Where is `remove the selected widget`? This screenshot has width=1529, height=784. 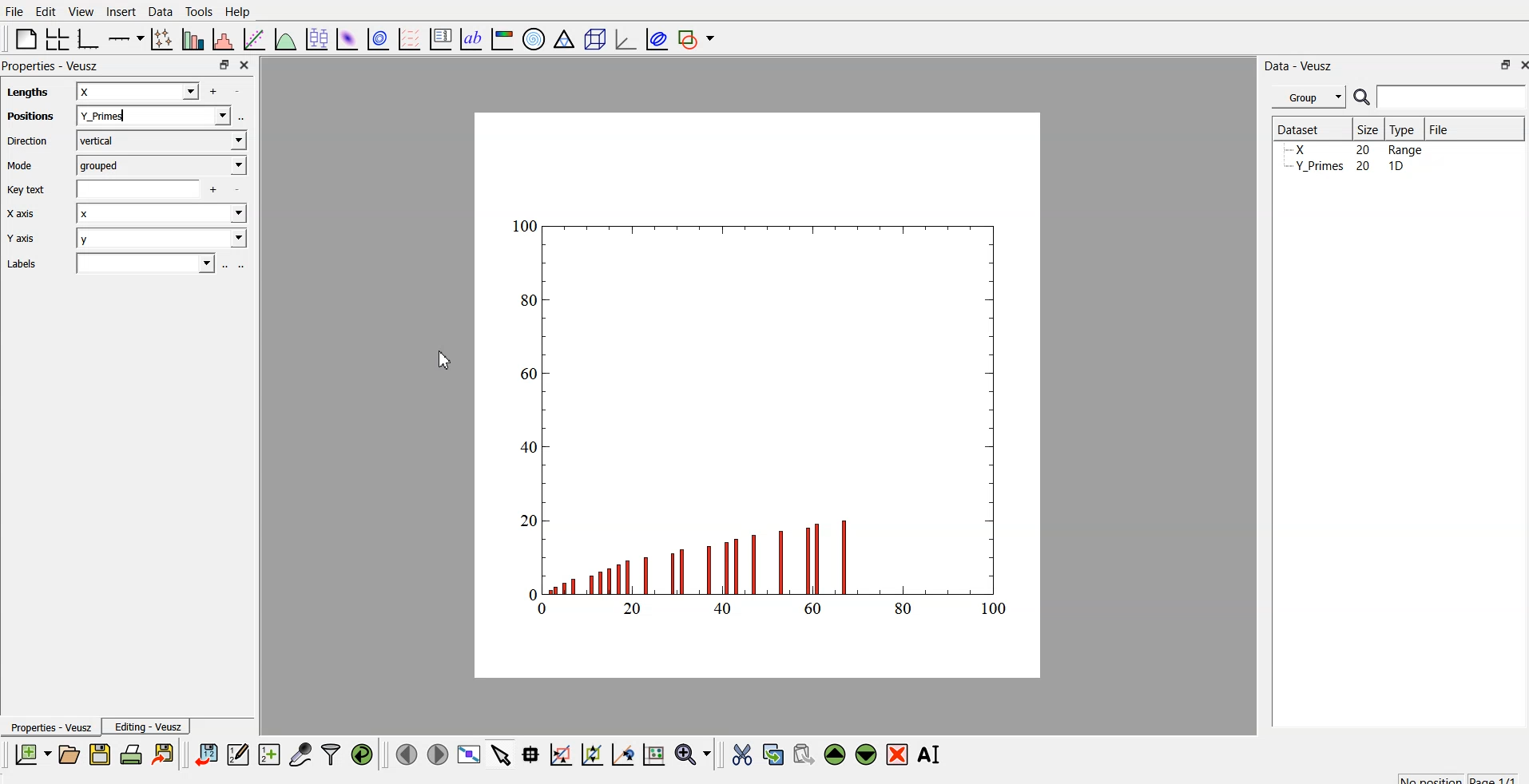 remove the selected widget is located at coordinates (900, 754).